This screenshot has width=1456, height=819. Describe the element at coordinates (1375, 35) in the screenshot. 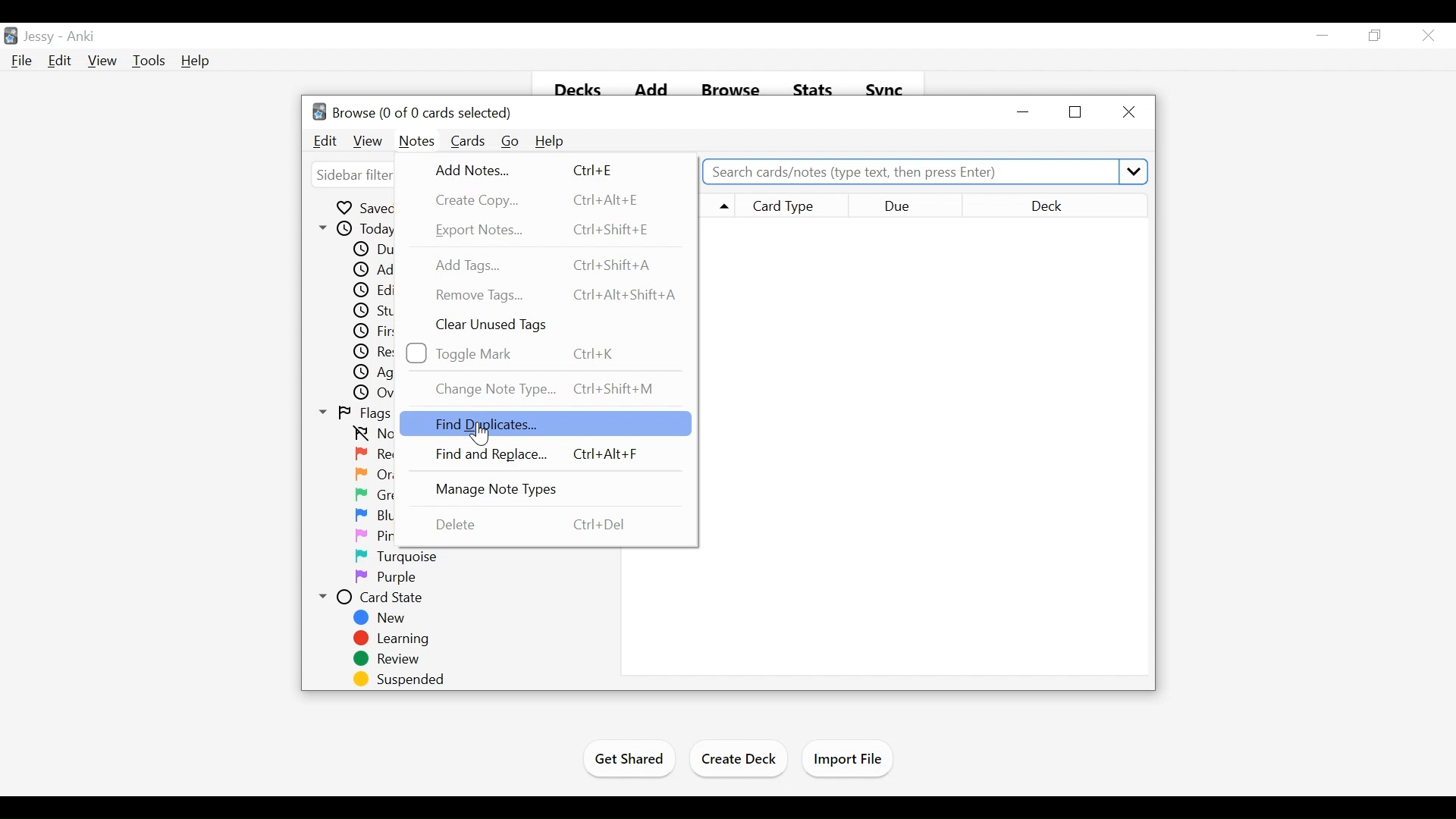

I see `Restore` at that location.